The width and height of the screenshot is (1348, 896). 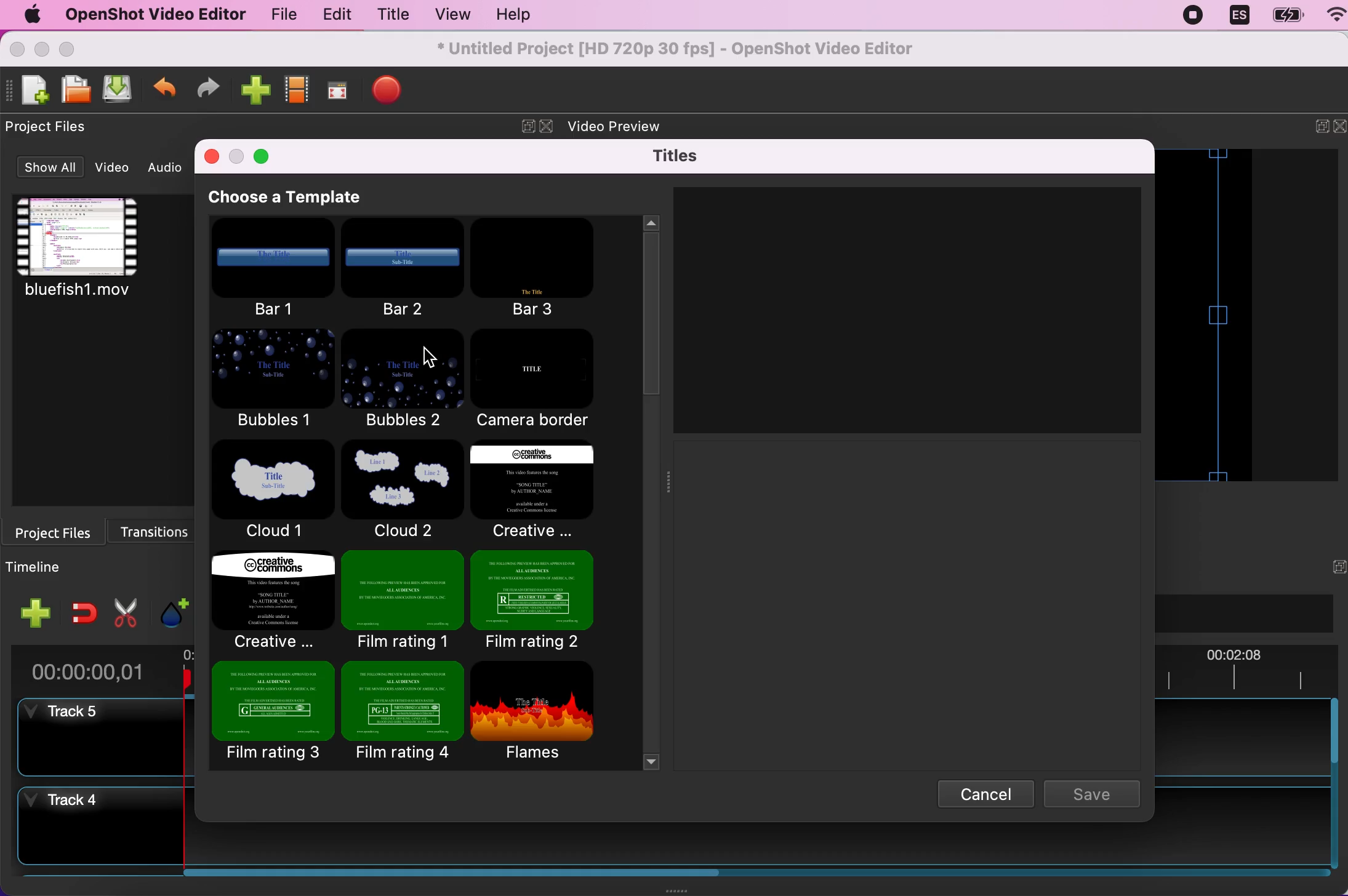 What do you see at coordinates (212, 159) in the screenshot?
I see `close` at bounding box center [212, 159].